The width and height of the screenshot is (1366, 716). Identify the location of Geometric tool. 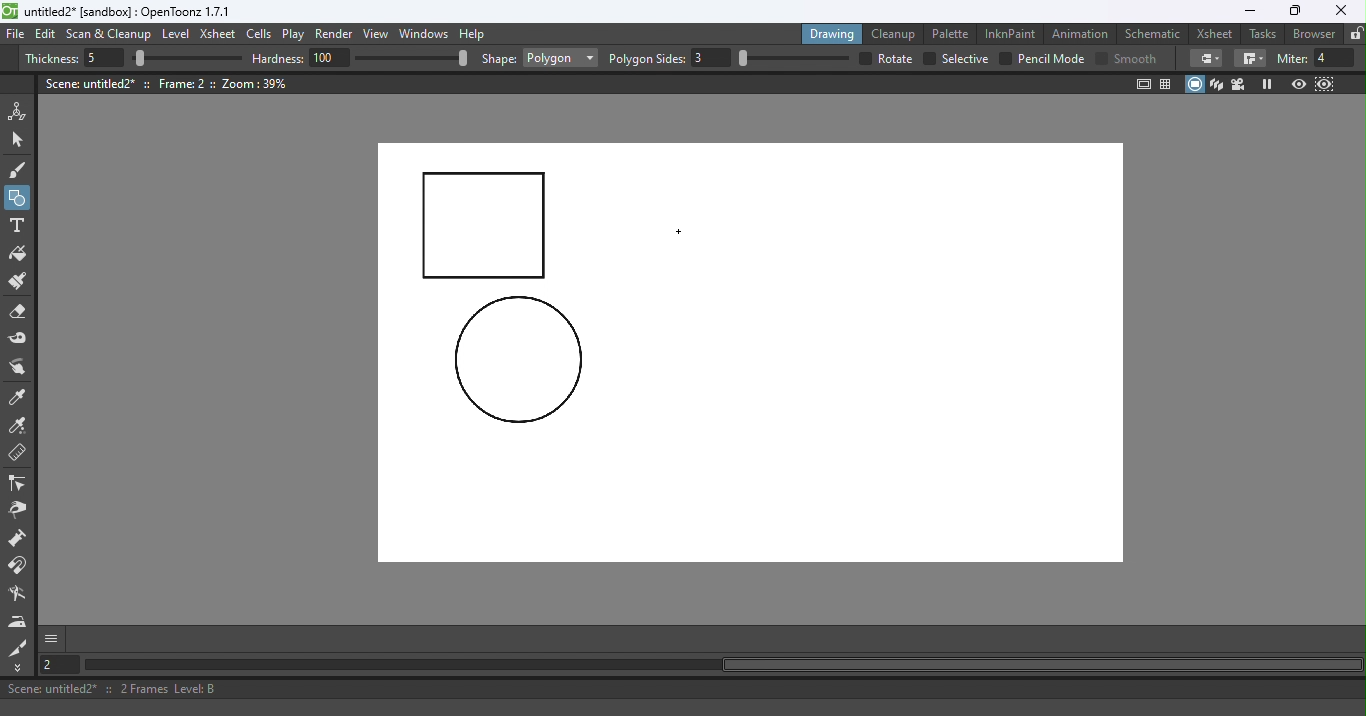
(19, 198).